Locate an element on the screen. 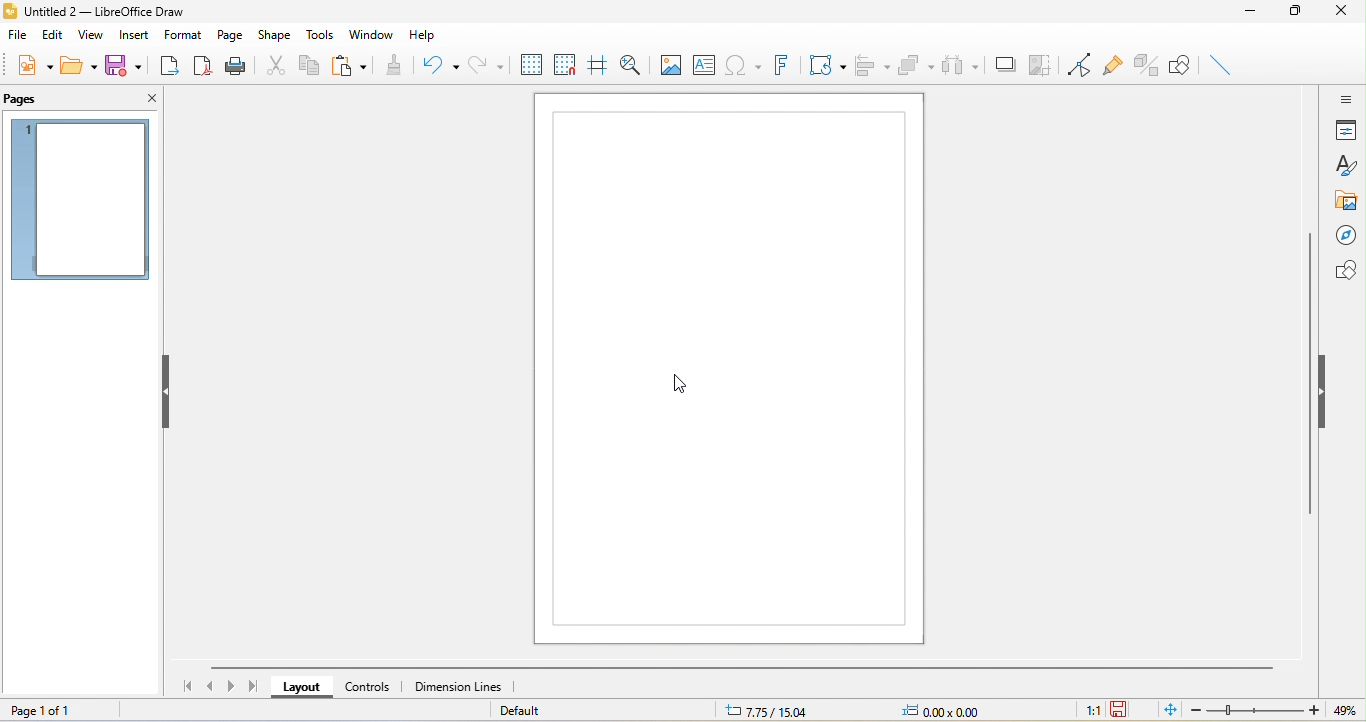  image is located at coordinates (670, 66).